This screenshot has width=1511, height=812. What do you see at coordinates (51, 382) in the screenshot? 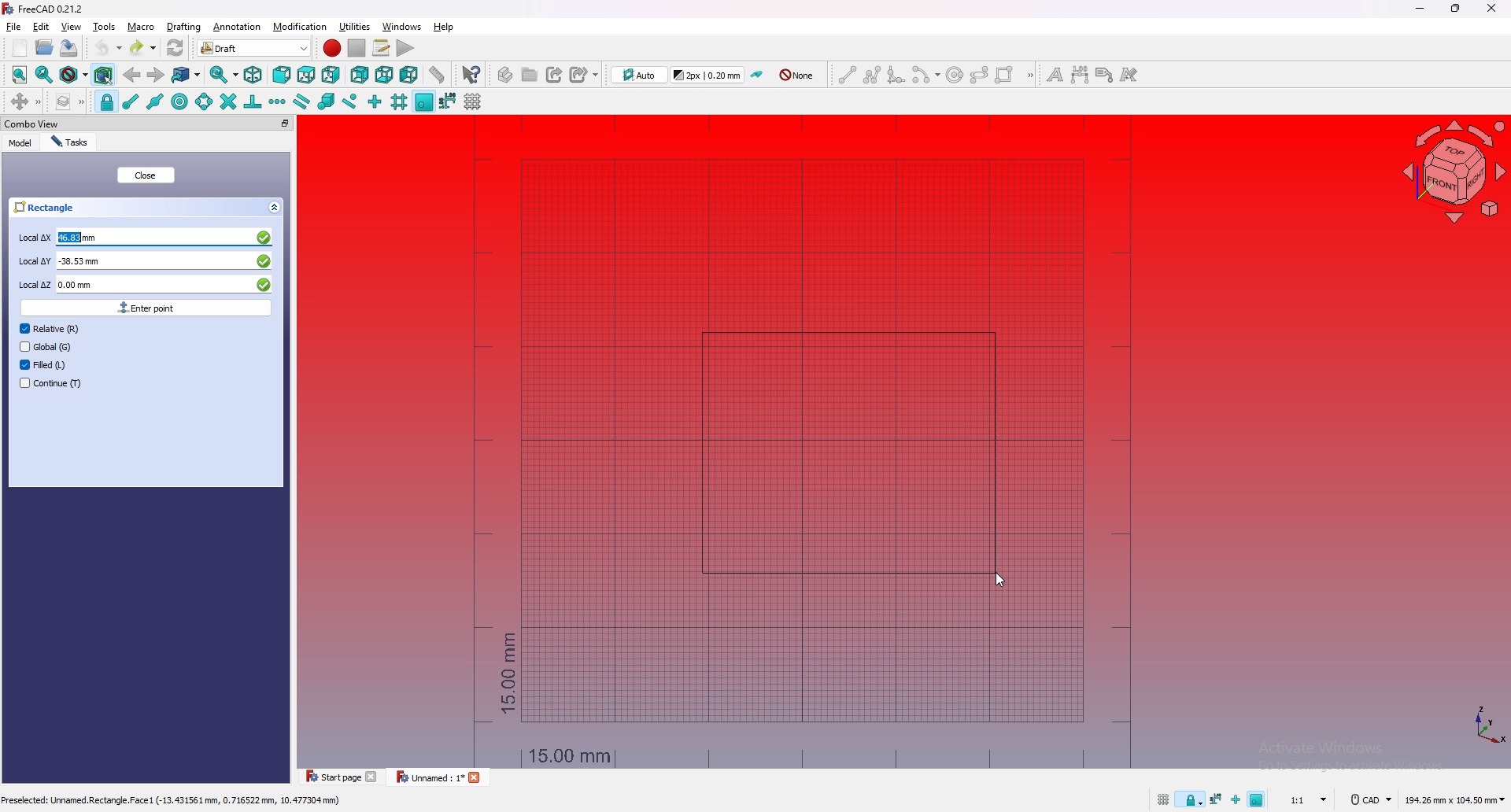
I see `continue (T)` at bounding box center [51, 382].